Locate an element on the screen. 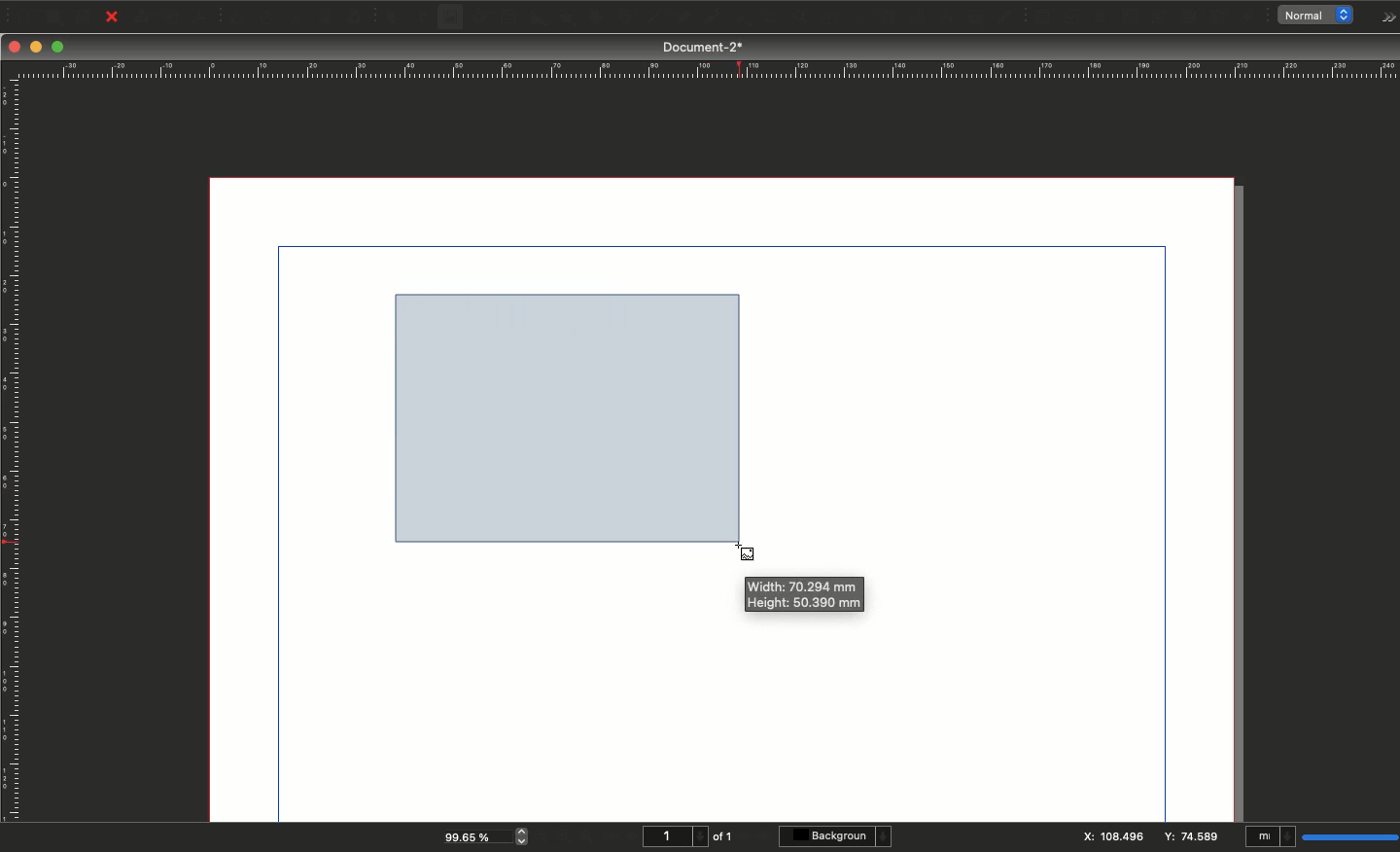 The image size is (1400, 852). Paste is located at coordinates (361, 18).